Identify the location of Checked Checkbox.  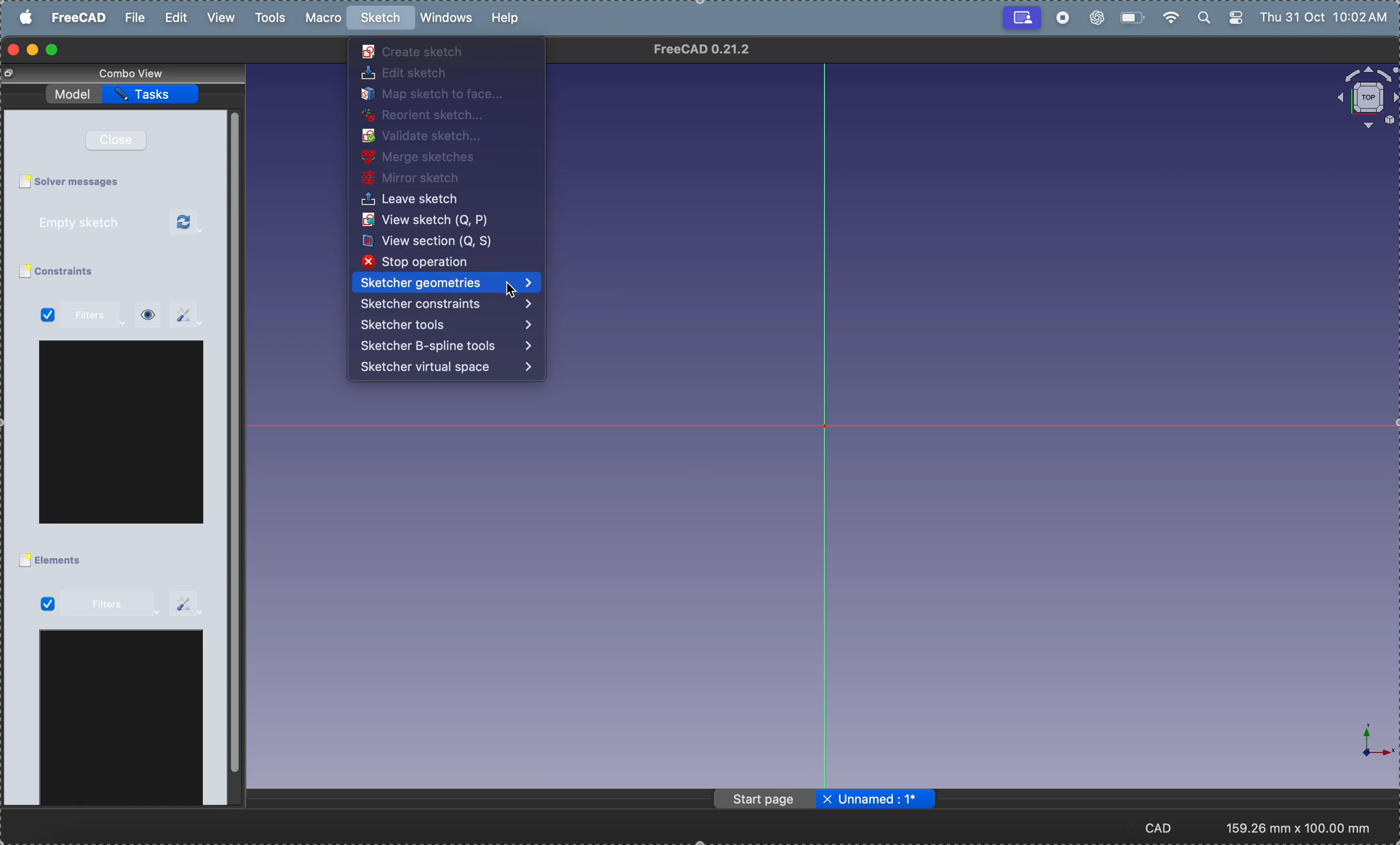
(47, 604).